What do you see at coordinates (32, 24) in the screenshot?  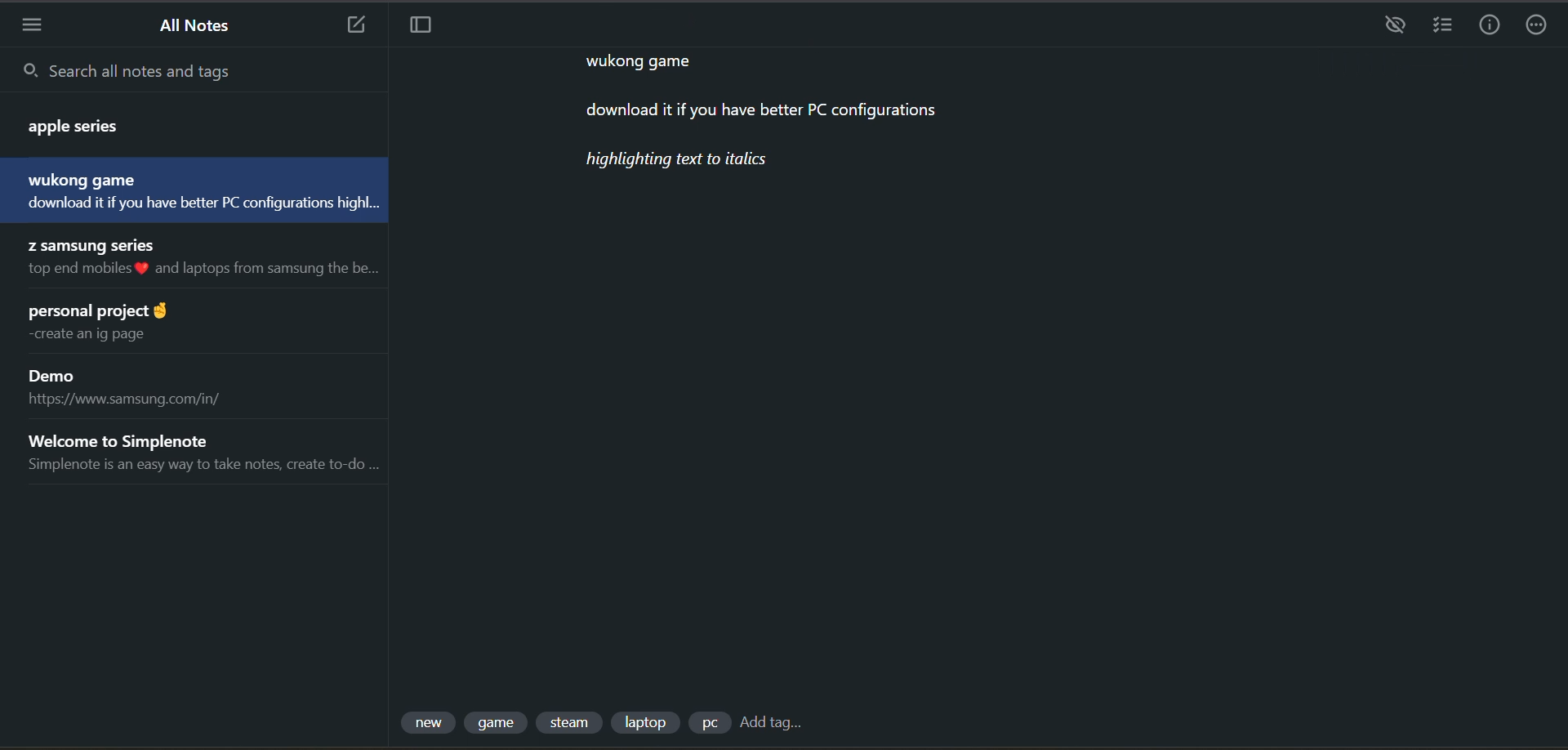 I see `menu` at bounding box center [32, 24].